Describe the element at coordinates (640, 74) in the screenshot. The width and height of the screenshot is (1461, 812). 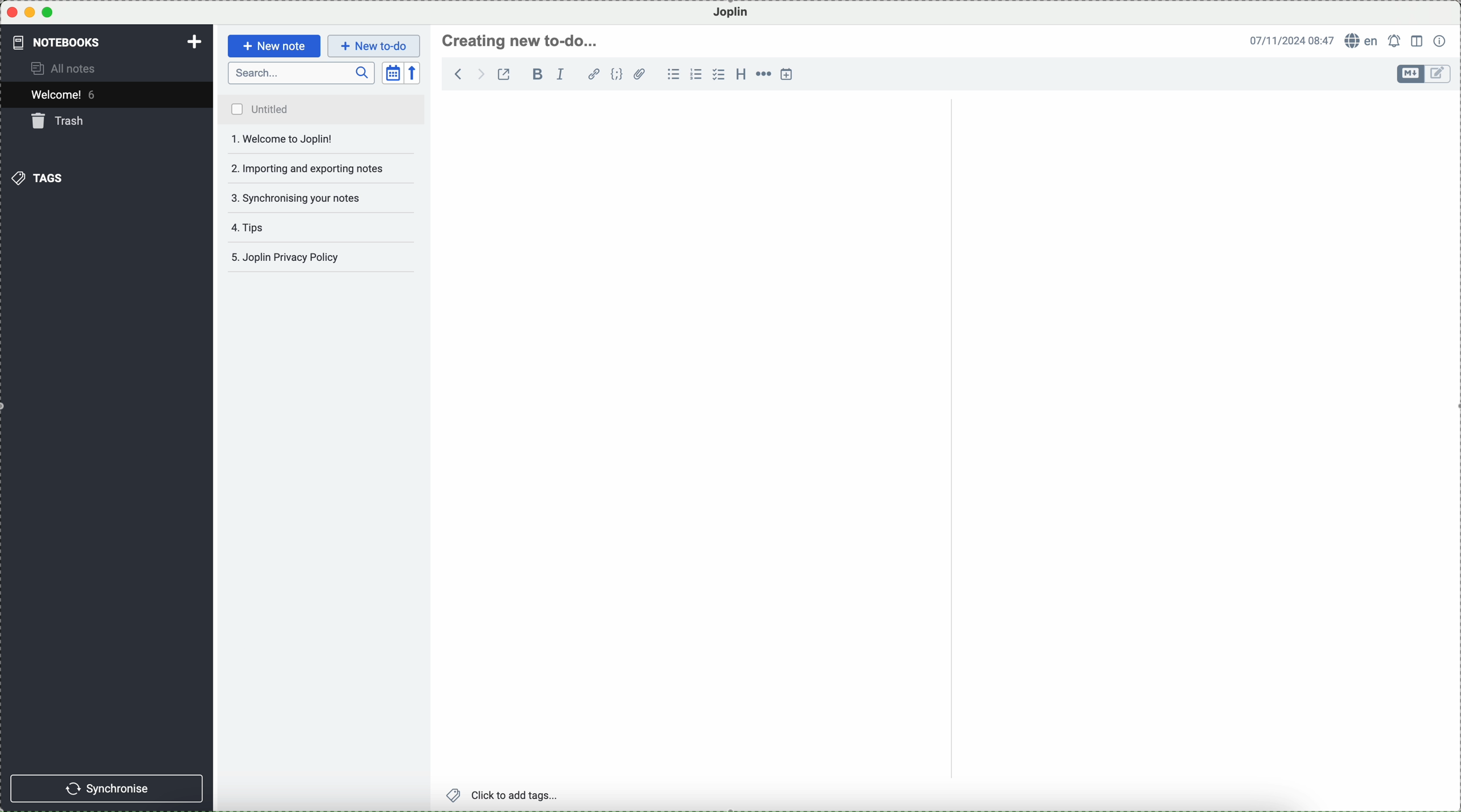
I see `attach file` at that location.